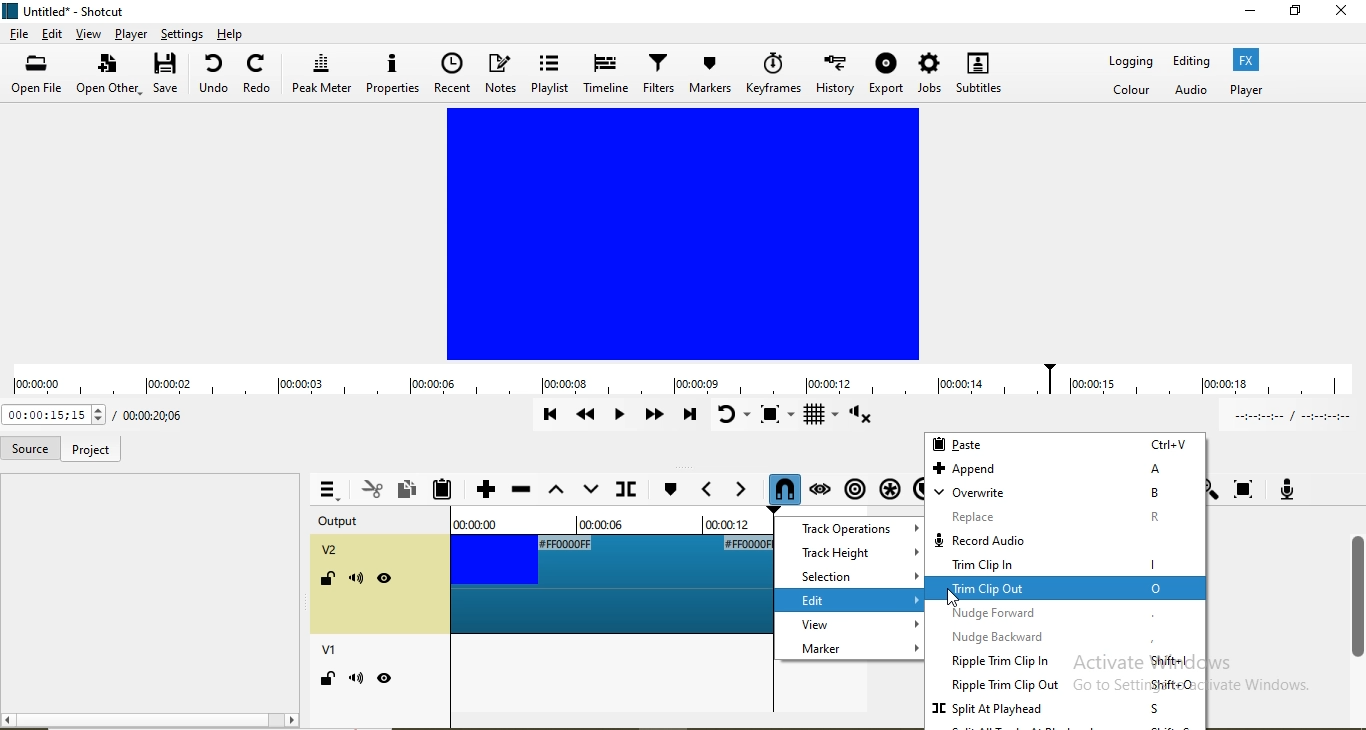 The height and width of the screenshot is (730, 1366). What do you see at coordinates (823, 418) in the screenshot?
I see `Toggle grid display ` at bounding box center [823, 418].